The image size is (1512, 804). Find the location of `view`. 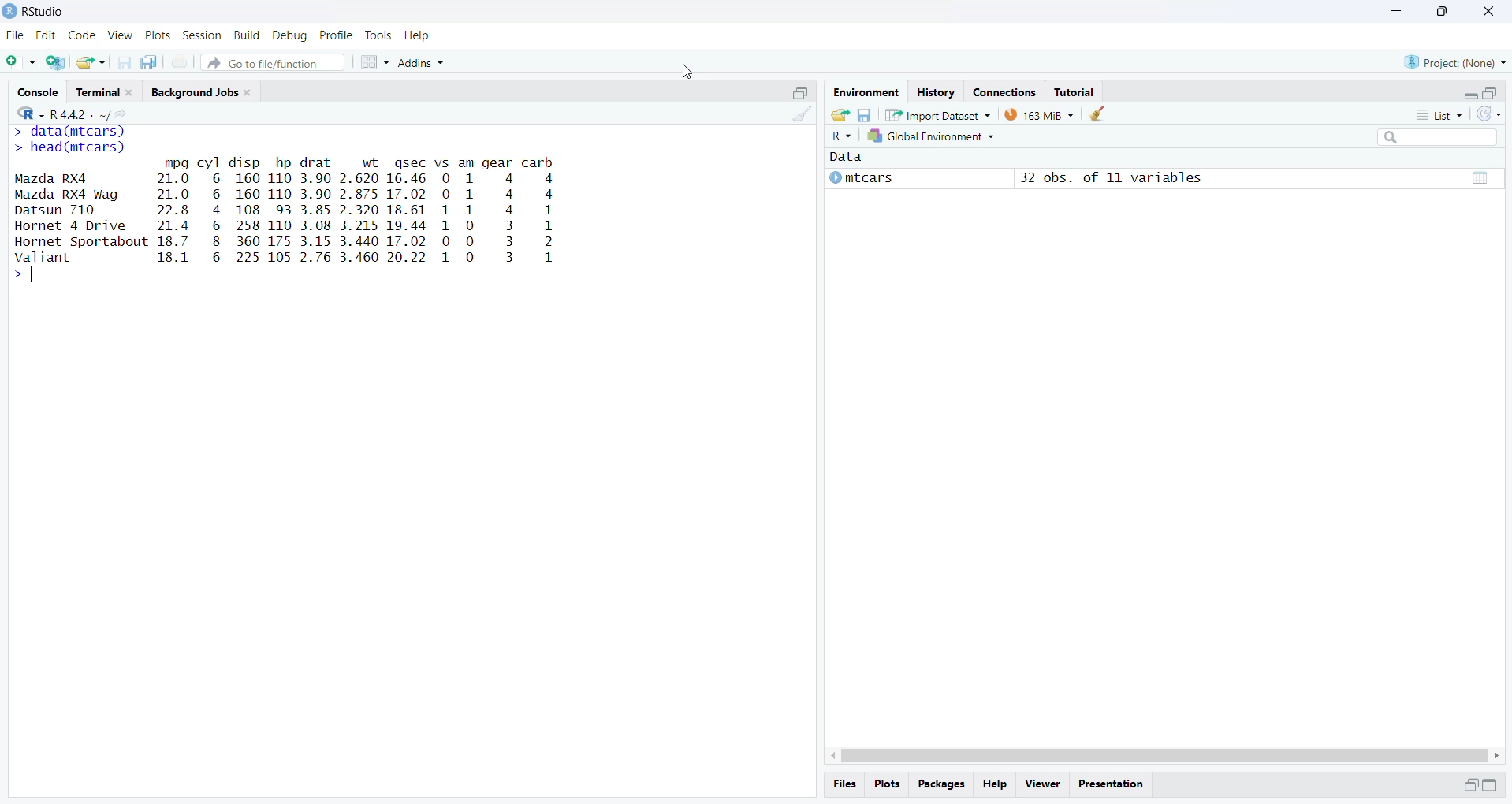

view is located at coordinates (121, 35).